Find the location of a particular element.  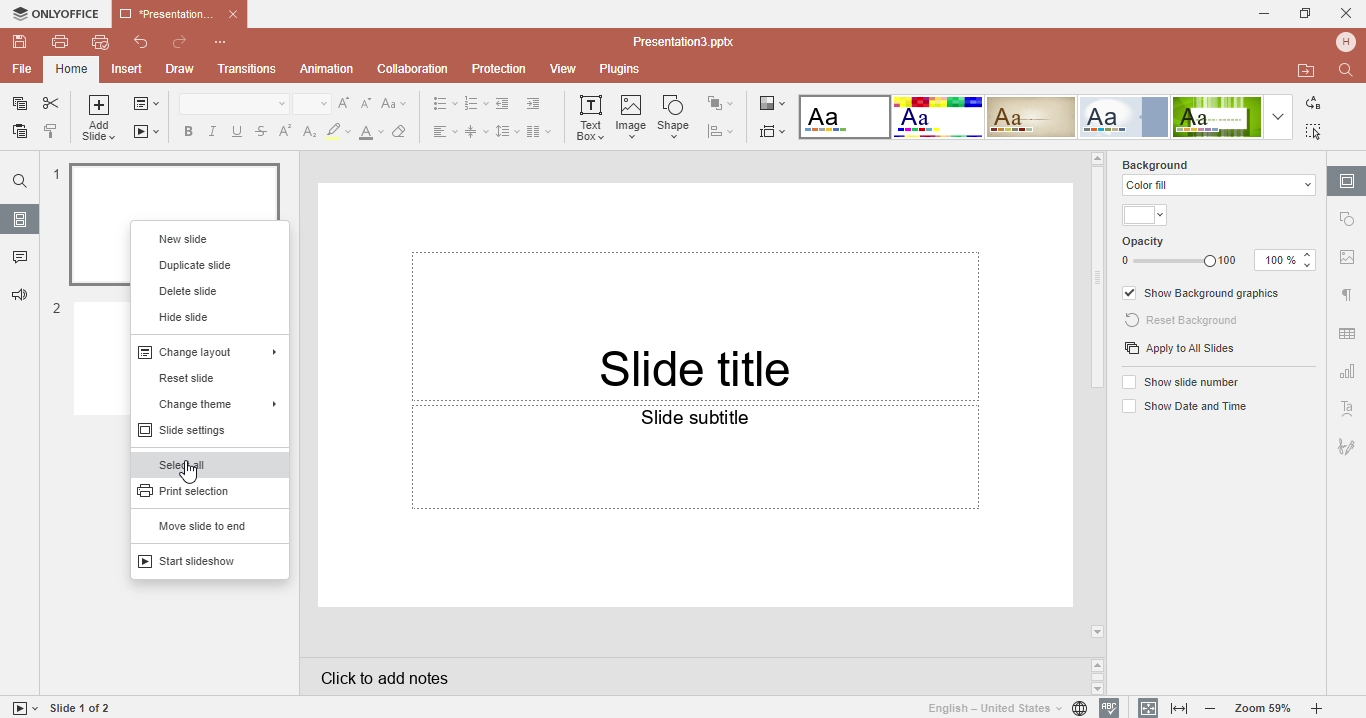

Increment font size is located at coordinates (347, 102).